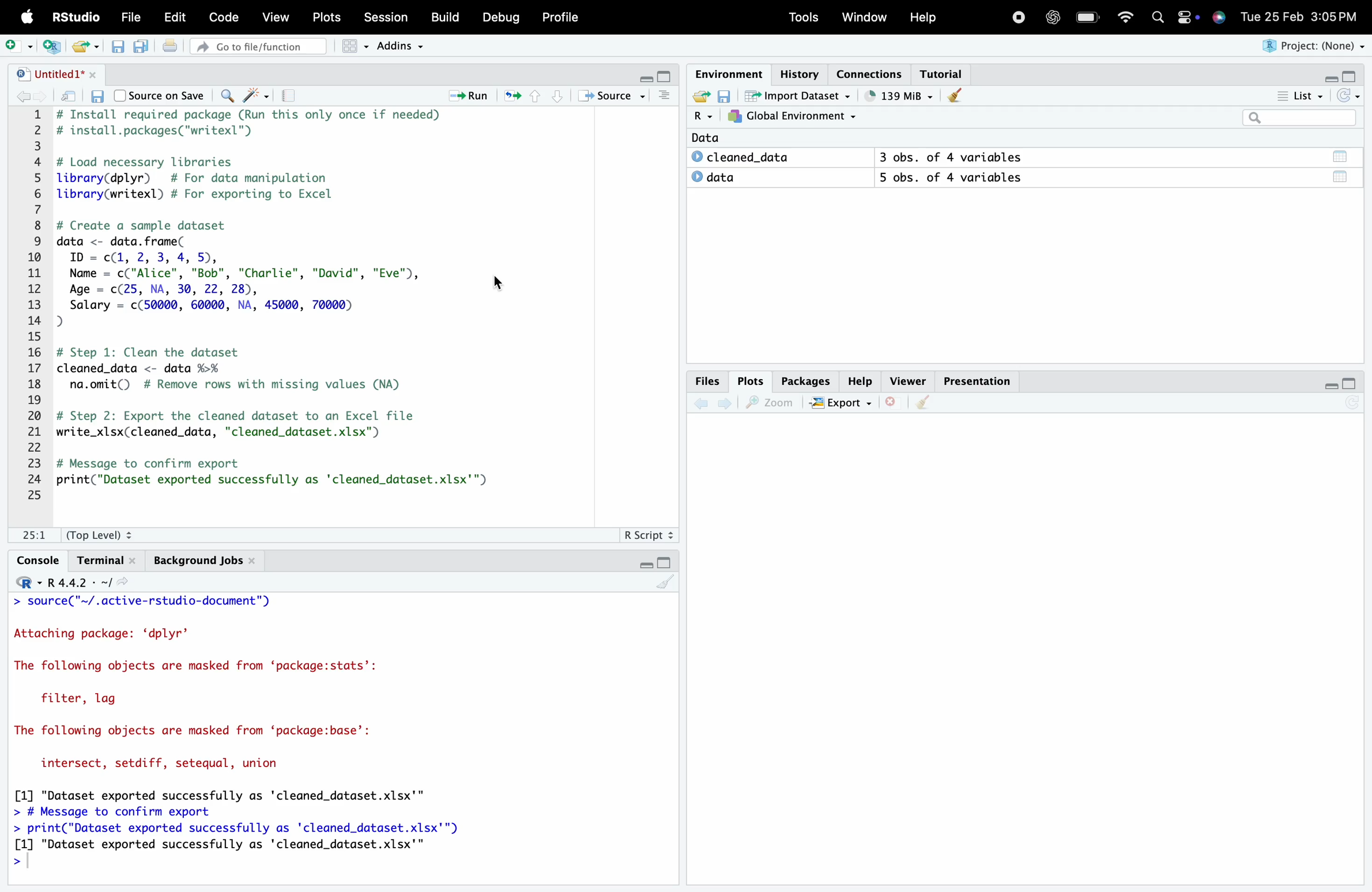 The image size is (1372, 892). I want to click on Show in new window, so click(69, 95).